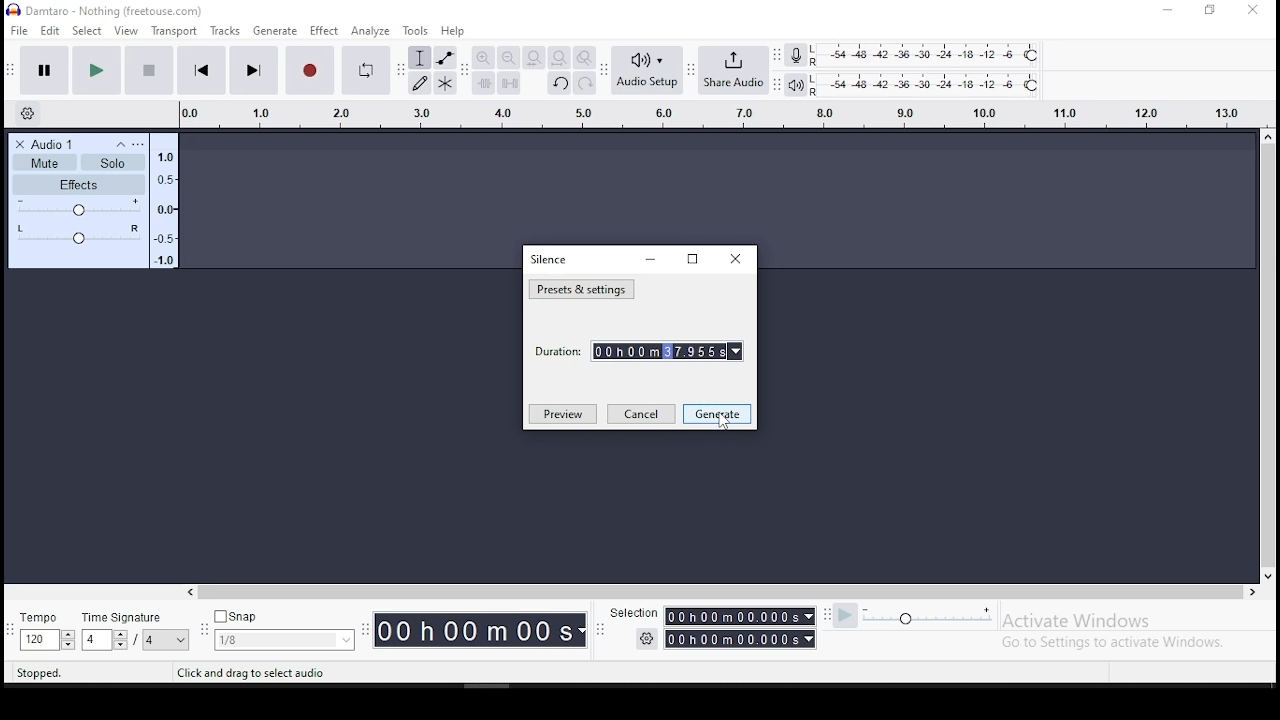  Describe the element at coordinates (372, 31) in the screenshot. I see `analyze` at that location.